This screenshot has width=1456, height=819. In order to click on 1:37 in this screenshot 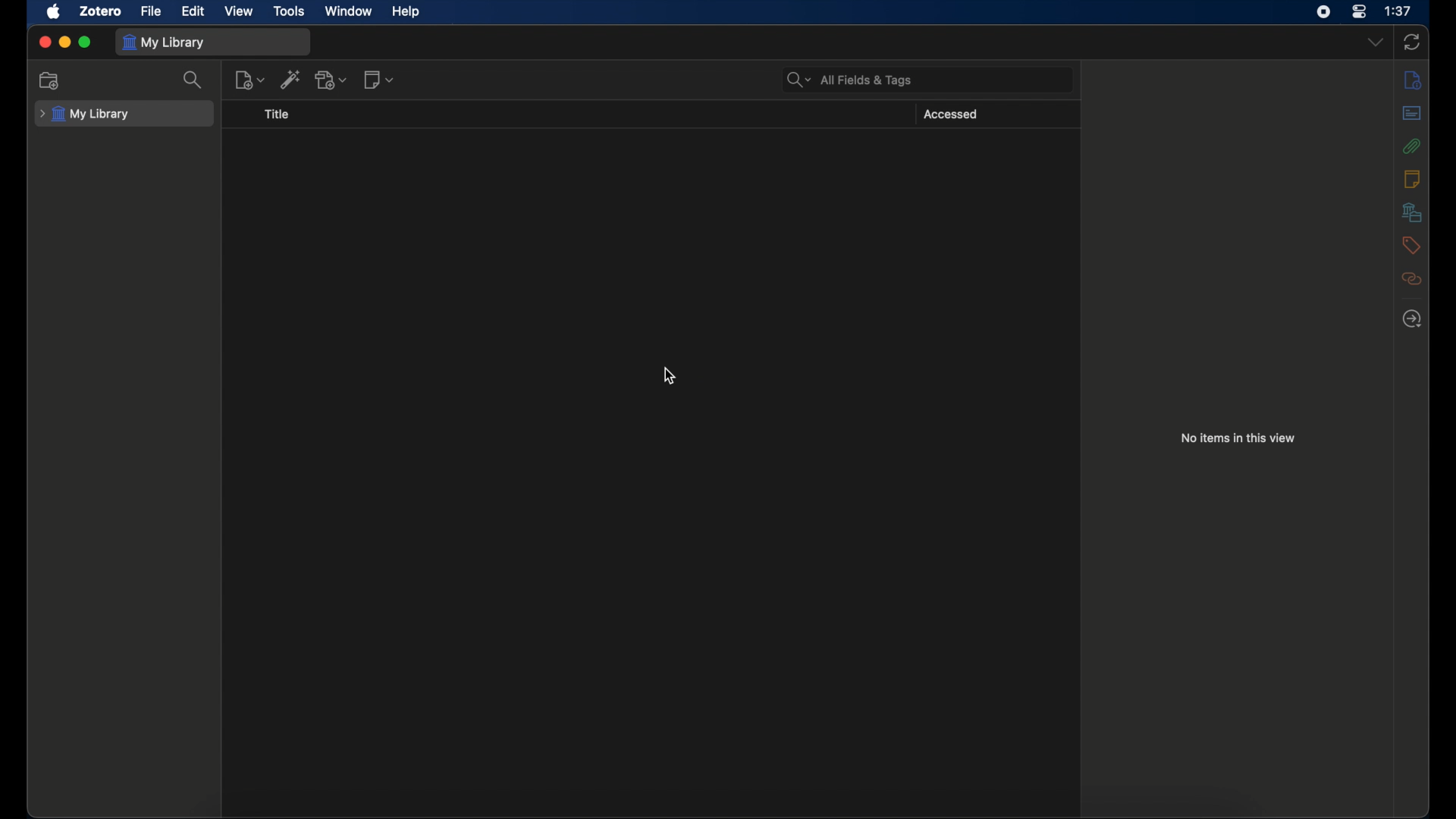, I will do `click(1398, 11)`.